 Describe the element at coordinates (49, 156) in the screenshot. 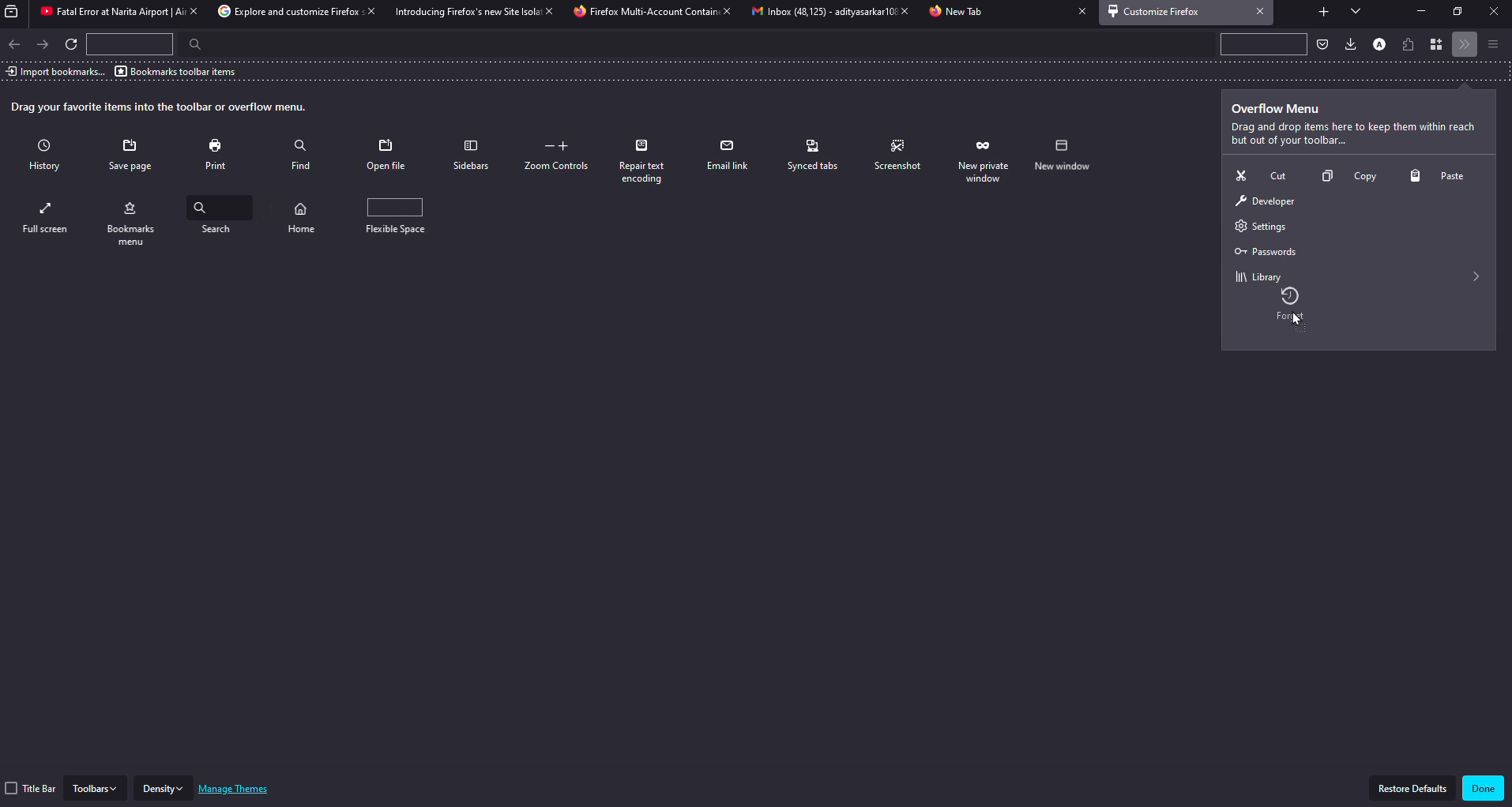

I see `history` at that location.